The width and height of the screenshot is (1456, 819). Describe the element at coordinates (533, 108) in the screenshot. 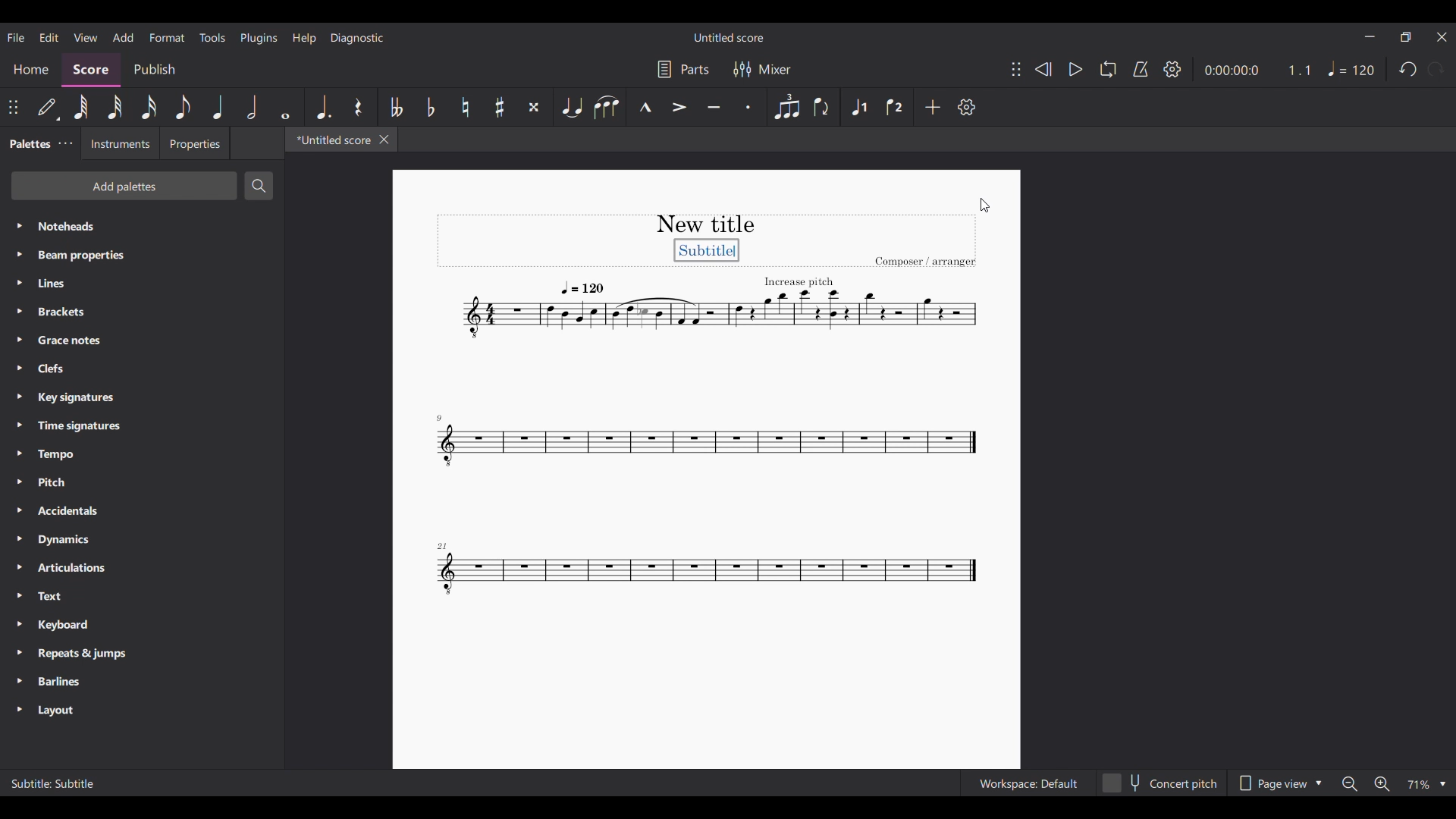

I see `Toggle double sharp` at that location.